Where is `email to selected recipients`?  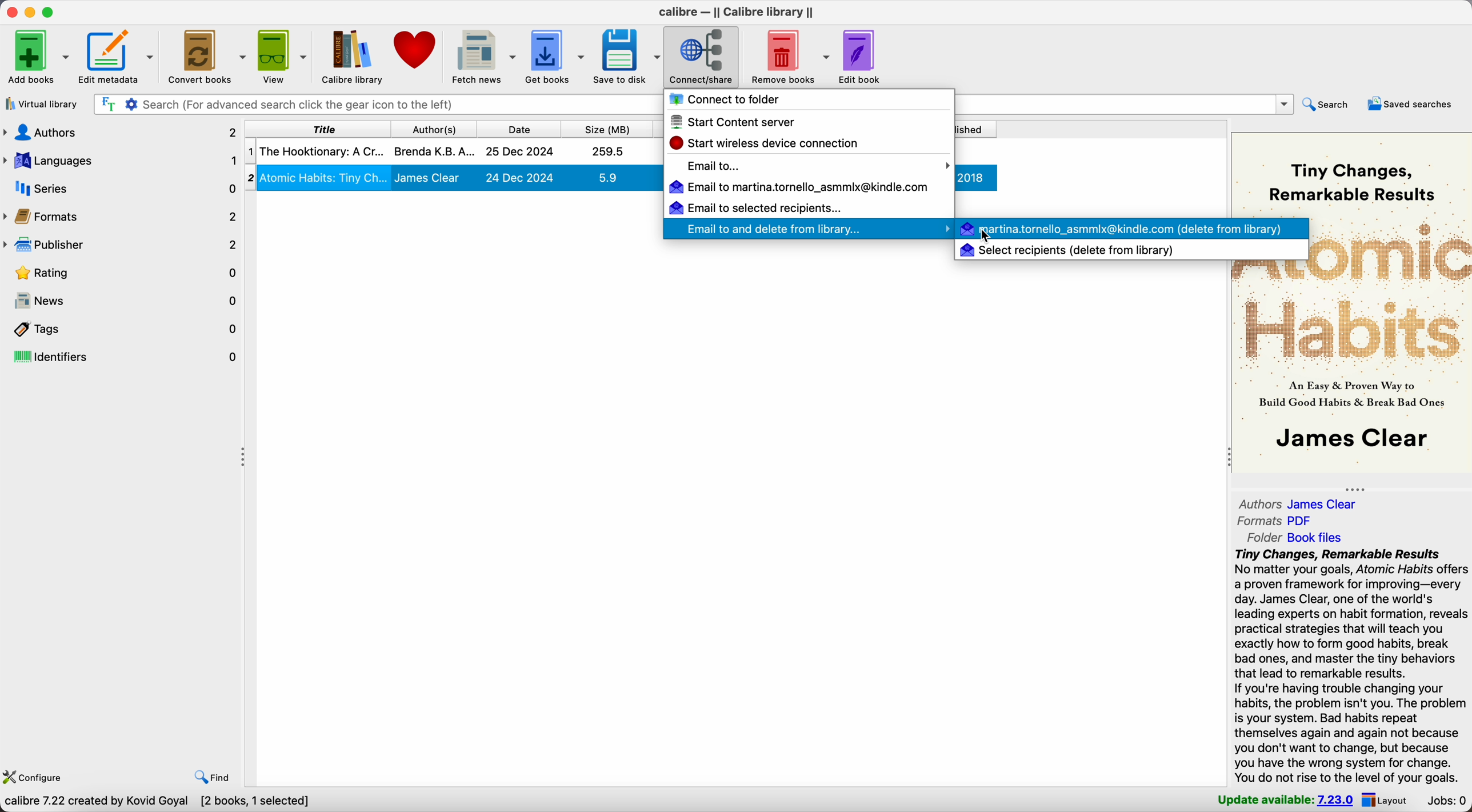 email to selected recipients is located at coordinates (754, 207).